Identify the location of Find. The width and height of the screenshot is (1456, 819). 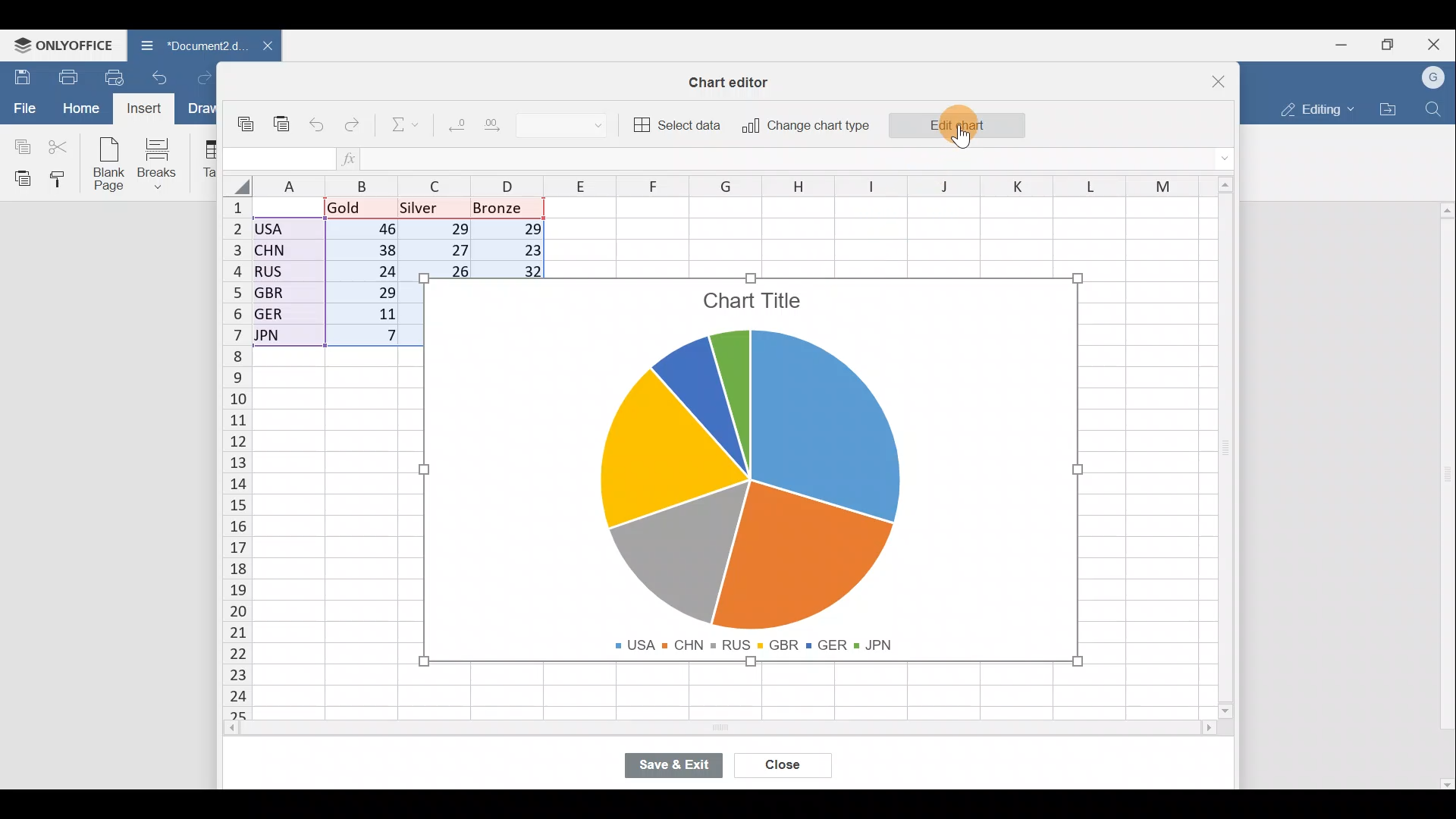
(1436, 106).